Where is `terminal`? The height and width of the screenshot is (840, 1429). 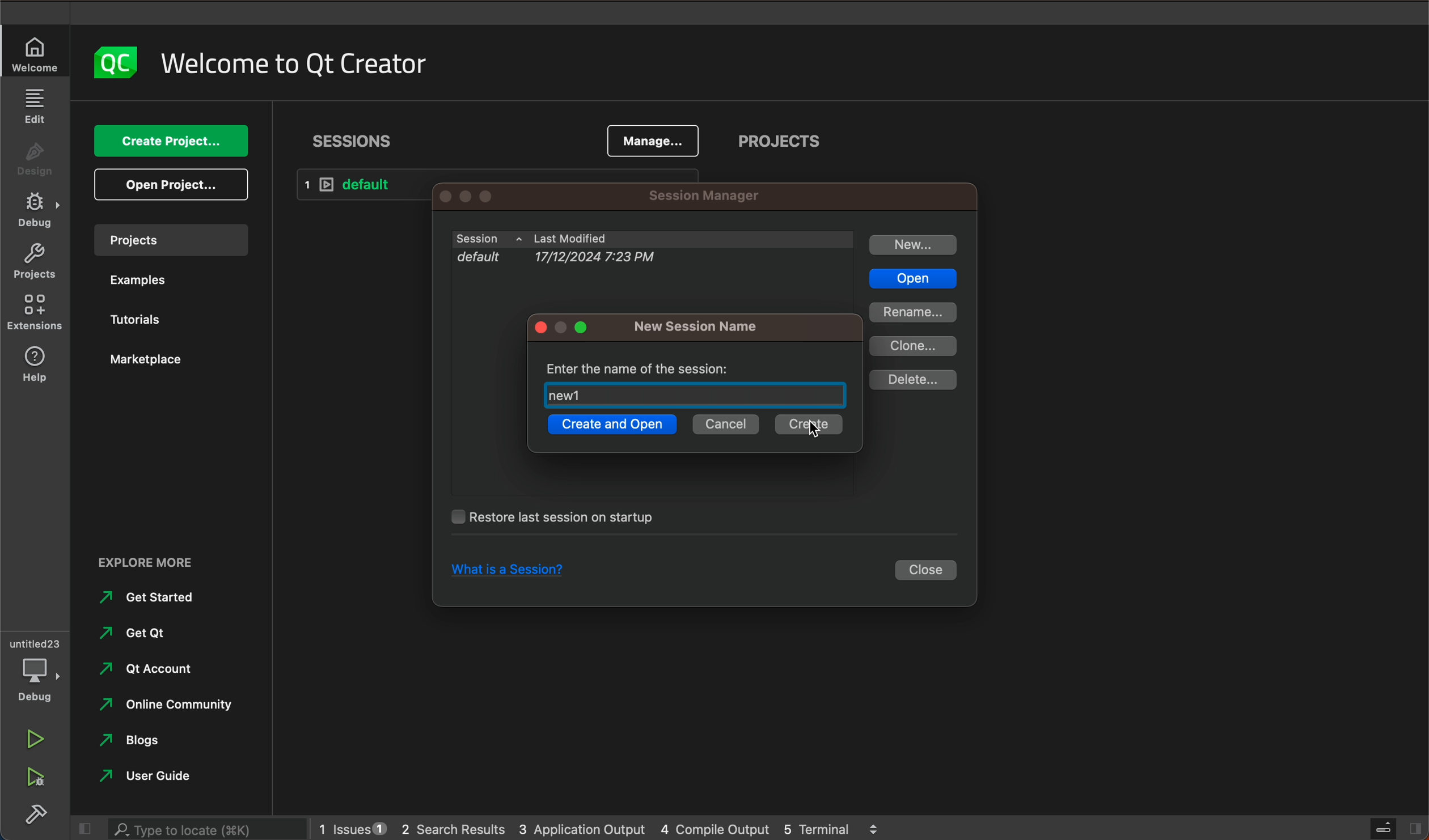
terminal is located at coordinates (832, 826).